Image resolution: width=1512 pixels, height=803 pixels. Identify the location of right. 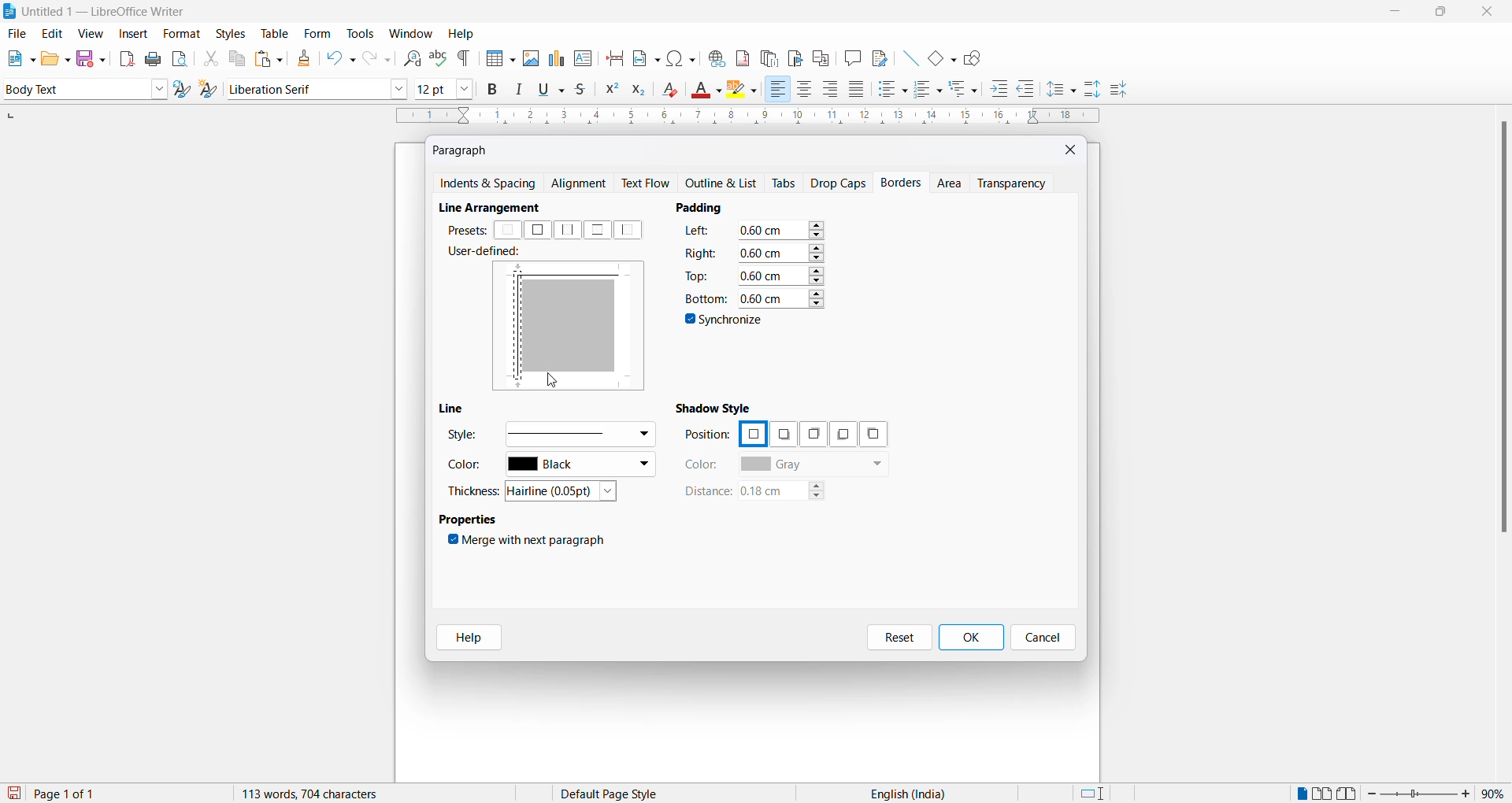
(701, 252).